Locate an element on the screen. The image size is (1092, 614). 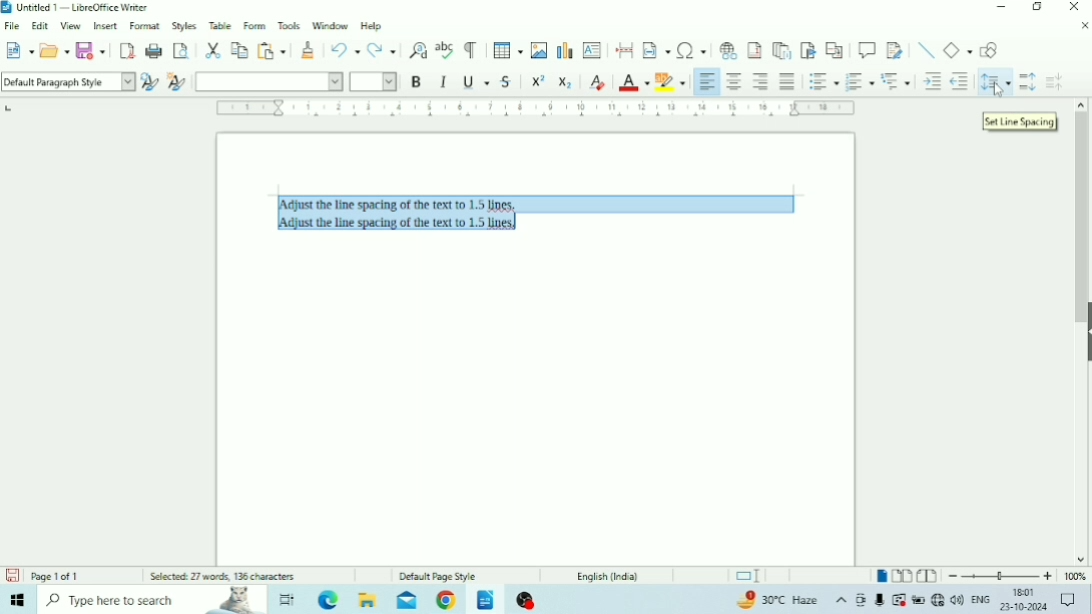
Show is located at coordinates (1085, 328).